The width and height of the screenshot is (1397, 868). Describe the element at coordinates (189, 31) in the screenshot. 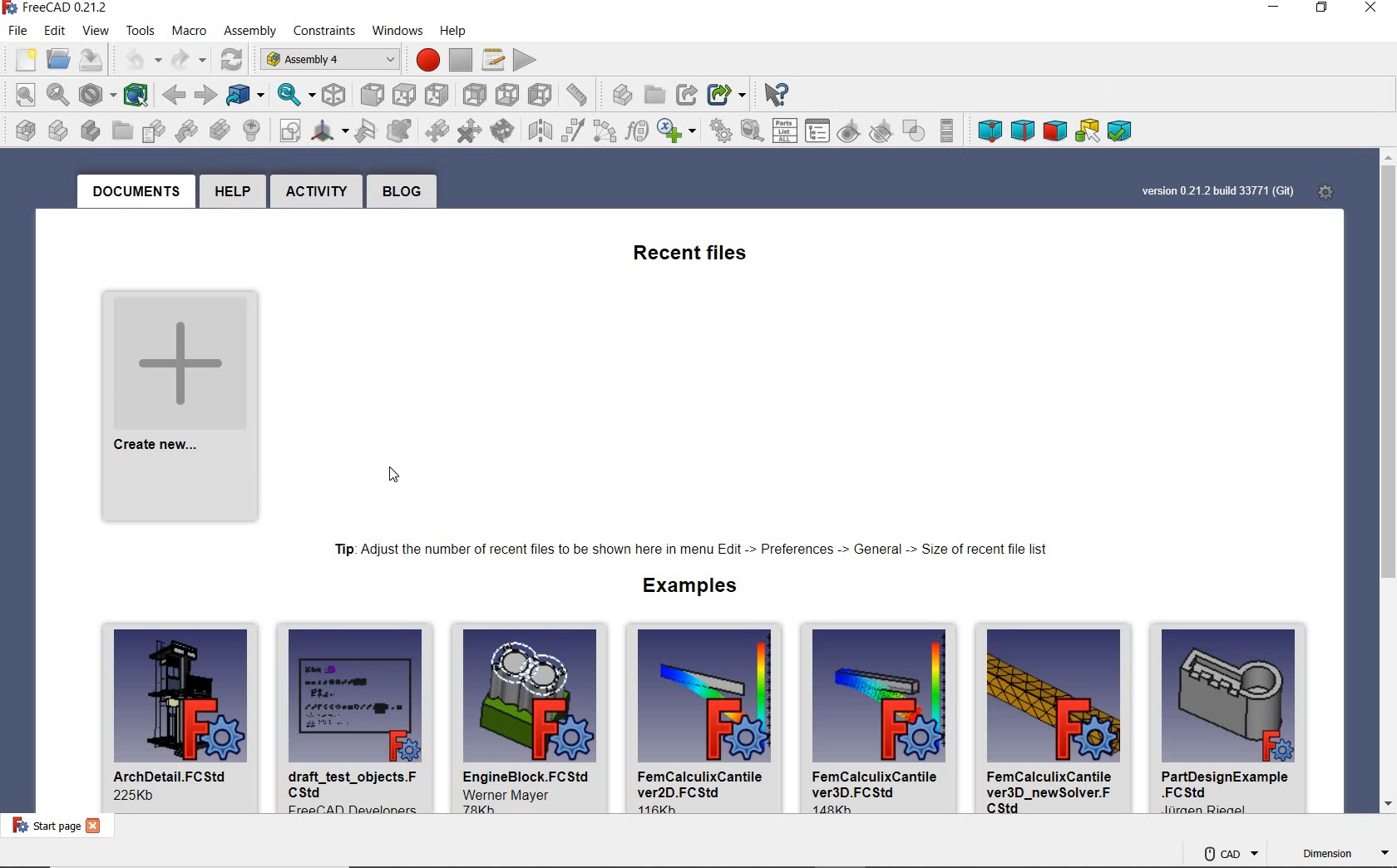

I see `macro` at that location.